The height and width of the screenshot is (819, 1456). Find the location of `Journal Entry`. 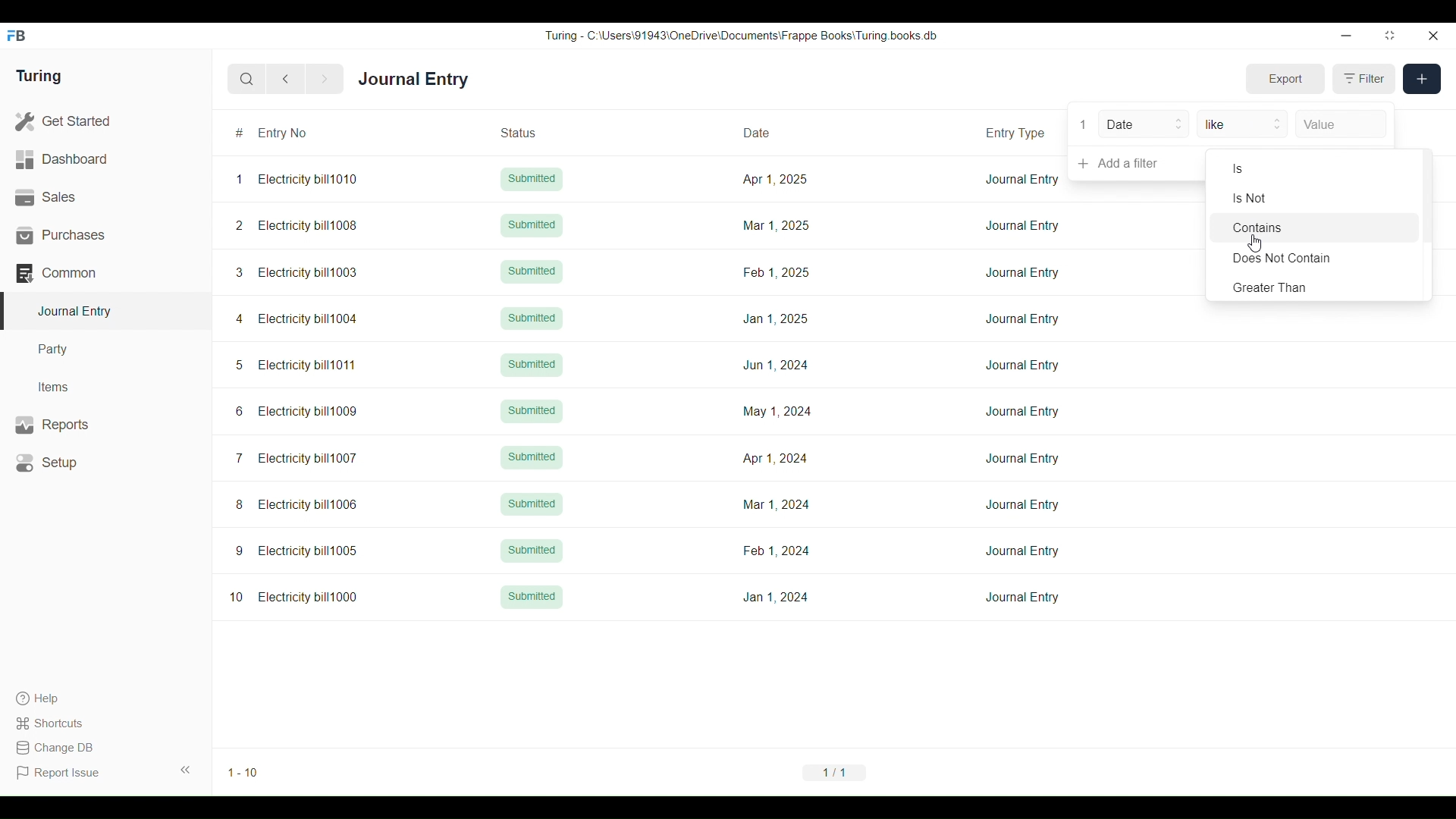

Journal Entry is located at coordinates (1024, 272).